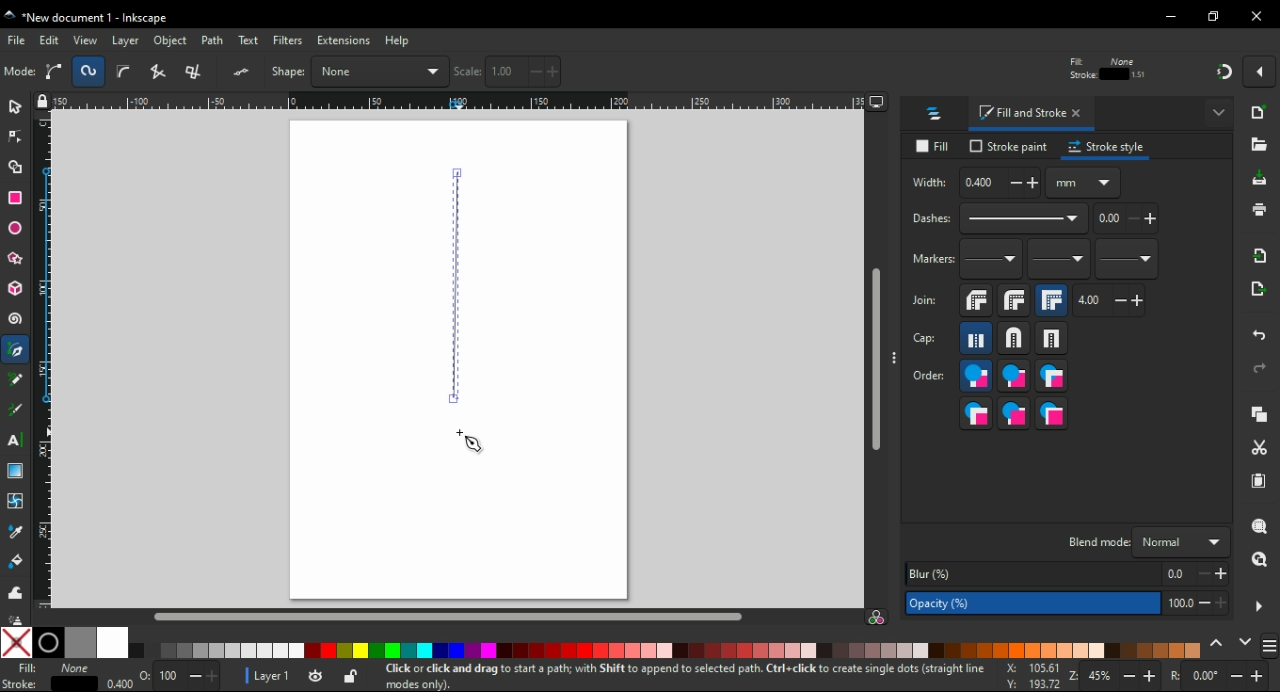 Image resolution: width=1280 pixels, height=692 pixels. I want to click on Fill Stroke, so click(19, 676).